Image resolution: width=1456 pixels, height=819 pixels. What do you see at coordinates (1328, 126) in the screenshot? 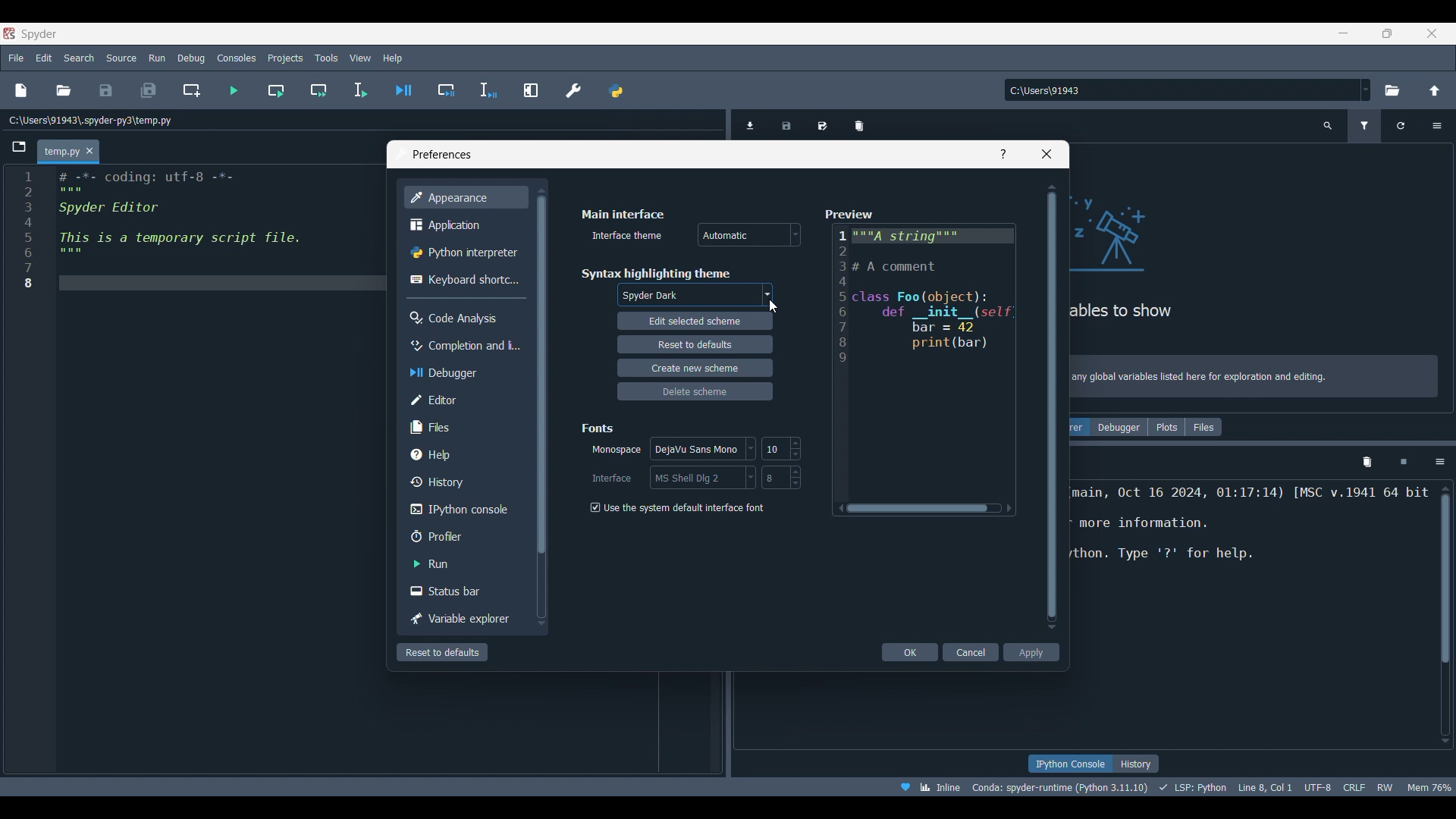
I see `Search variable names and types ` at bounding box center [1328, 126].